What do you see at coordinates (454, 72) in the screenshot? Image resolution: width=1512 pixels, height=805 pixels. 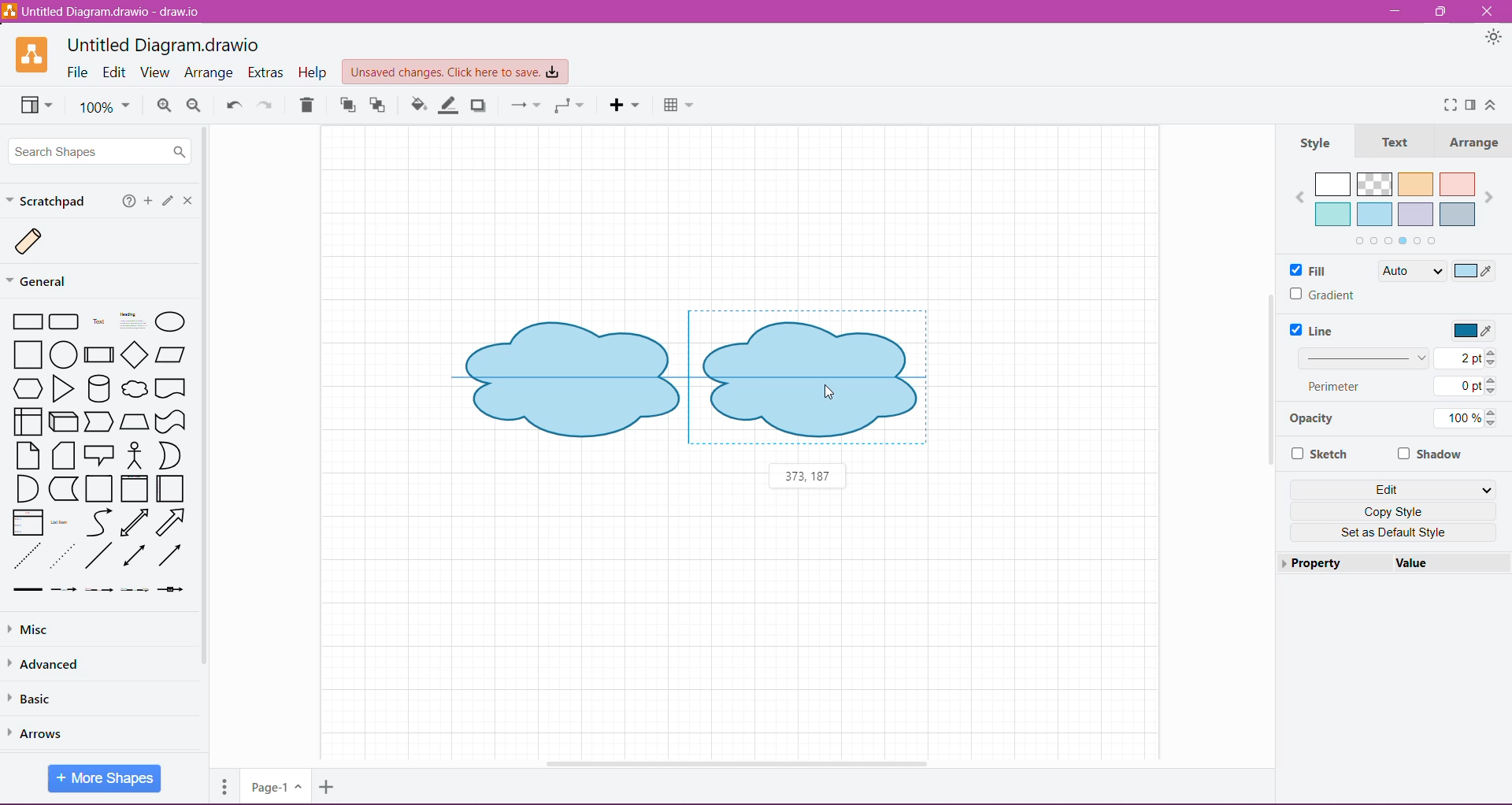 I see `Unsaved Changes. Click here to save` at bounding box center [454, 72].